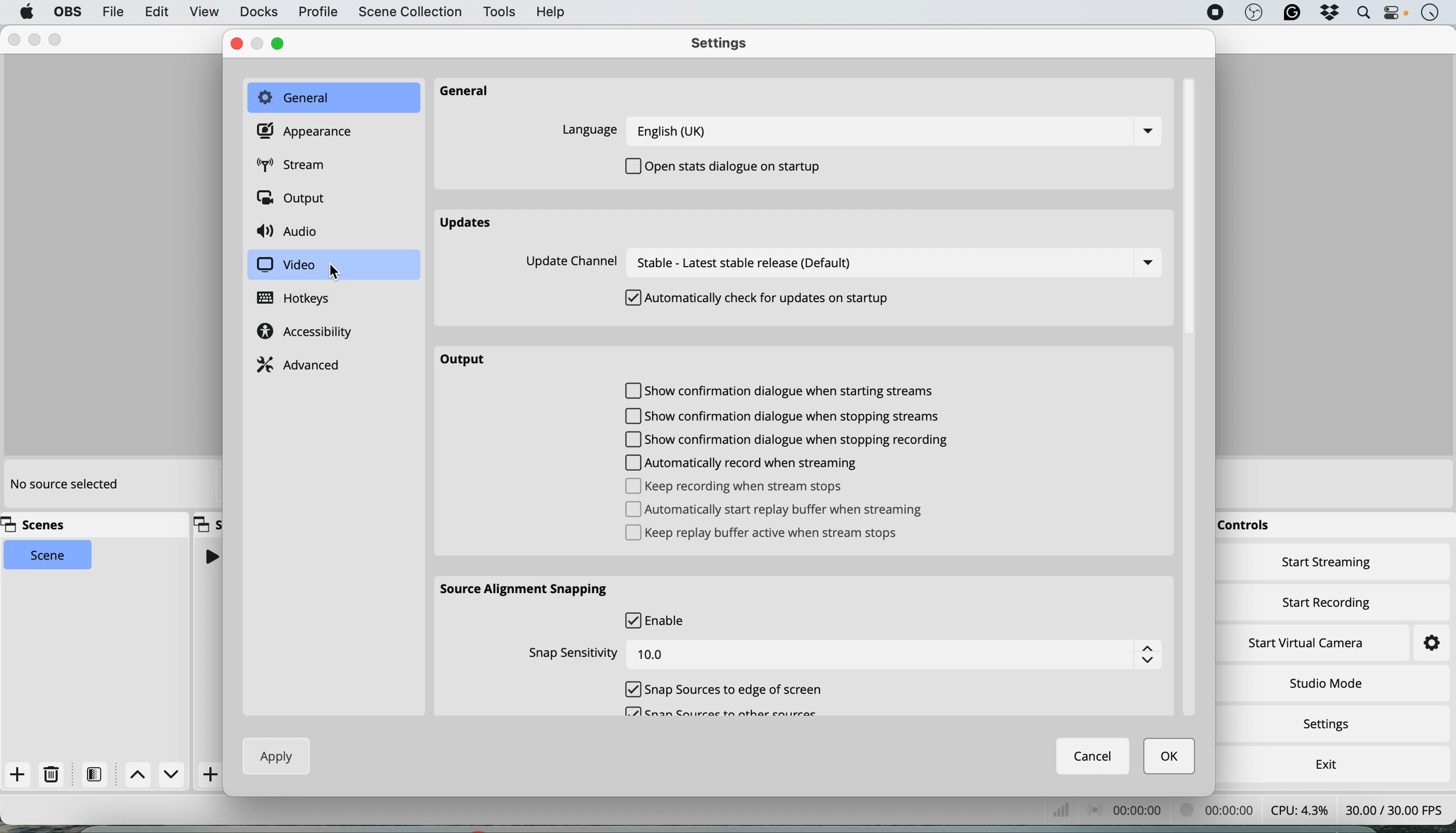  What do you see at coordinates (726, 689) in the screenshot?
I see `snap source to edge of screen` at bounding box center [726, 689].